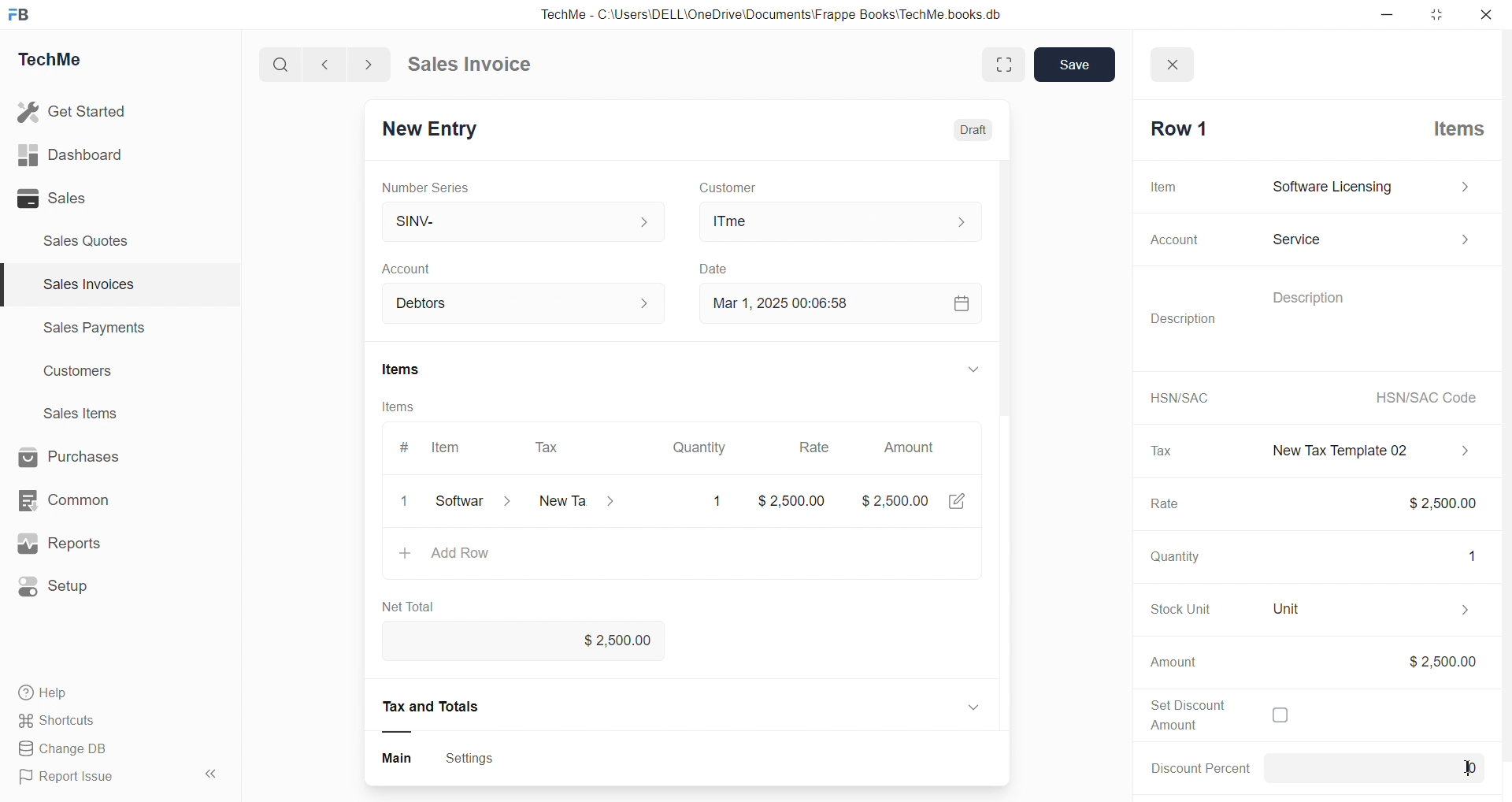  I want to click on @ Setup, so click(62, 592).